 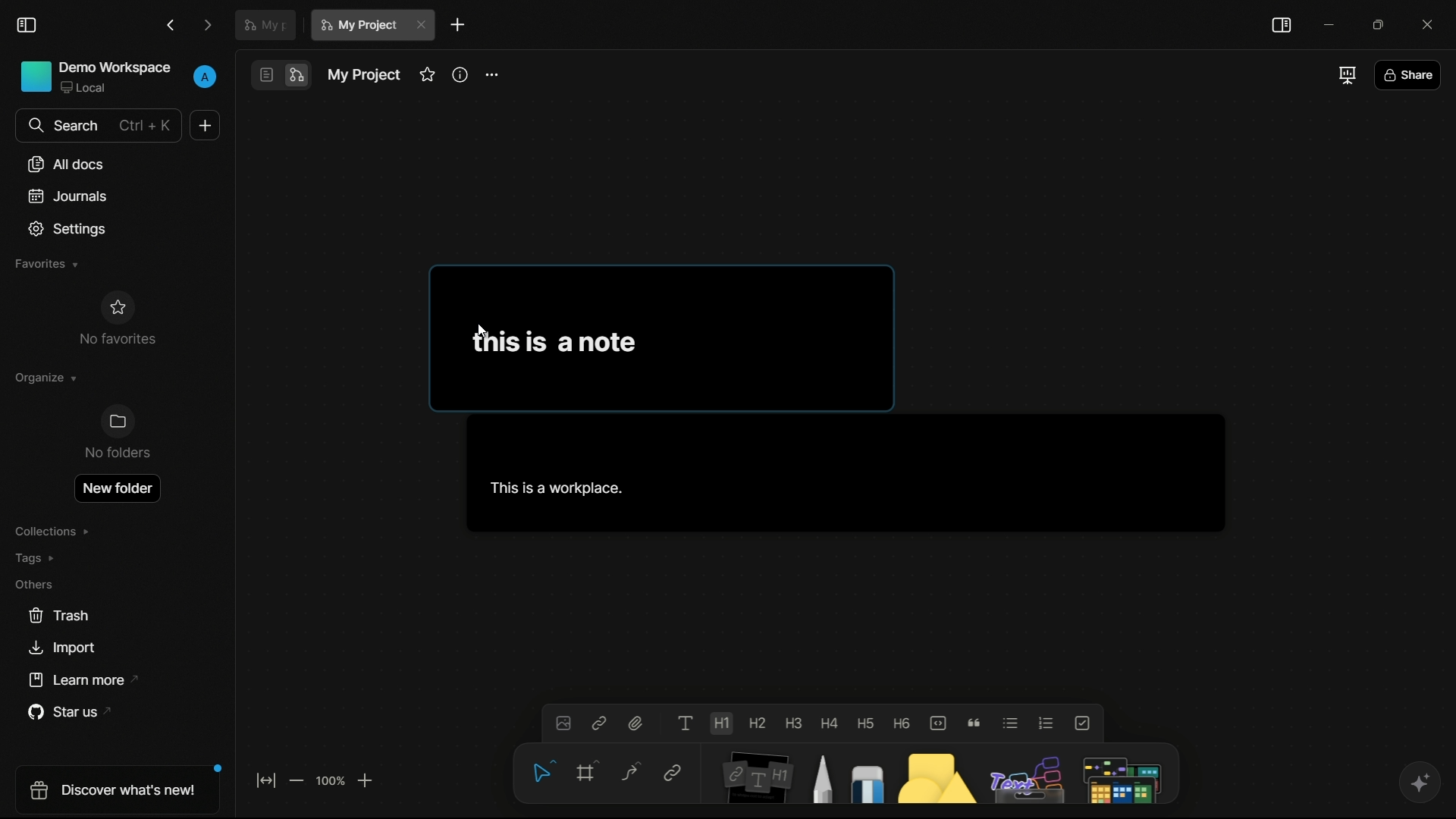 What do you see at coordinates (485, 333) in the screenshot?
I see `cursor` at bounding box center [485, 333].